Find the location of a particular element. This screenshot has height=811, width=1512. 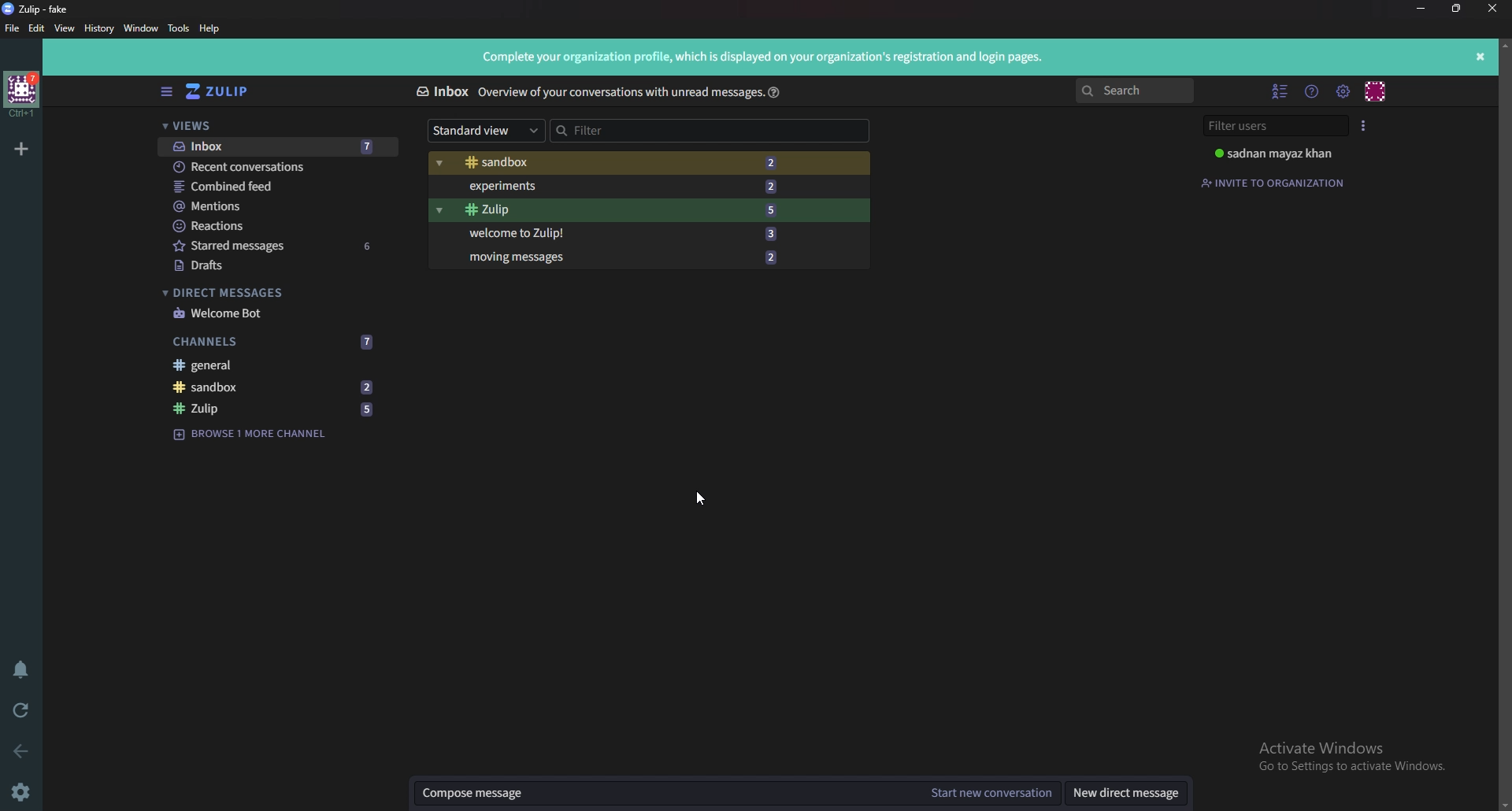

Complete your organization profile, which is displayed on your organization's registration and login pages. is located at coordinates (773, 54).